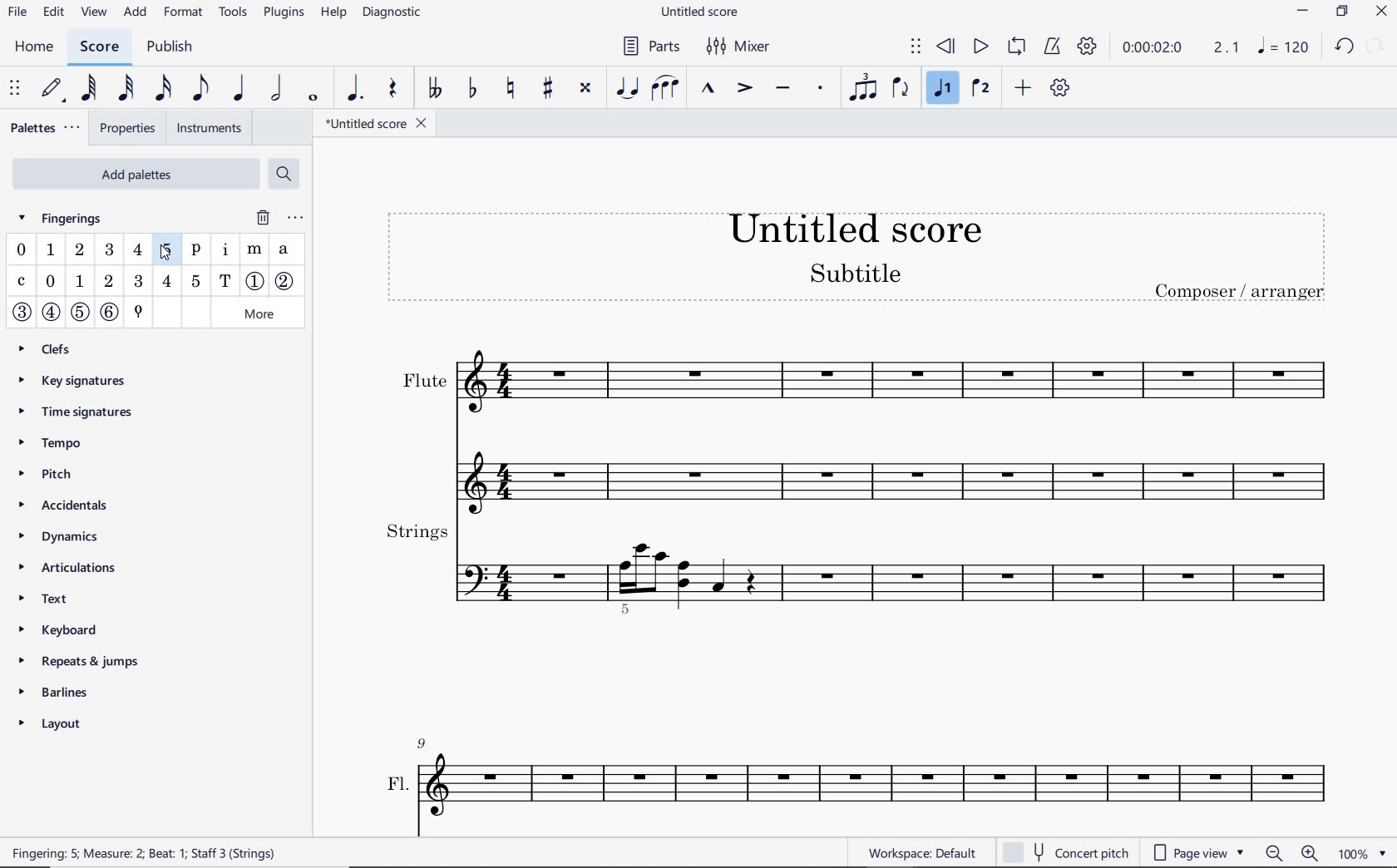  Describe the element at coordinates (79, 281) in the screenshot. I see `LH GUITAR FINGERING 1` at that location.